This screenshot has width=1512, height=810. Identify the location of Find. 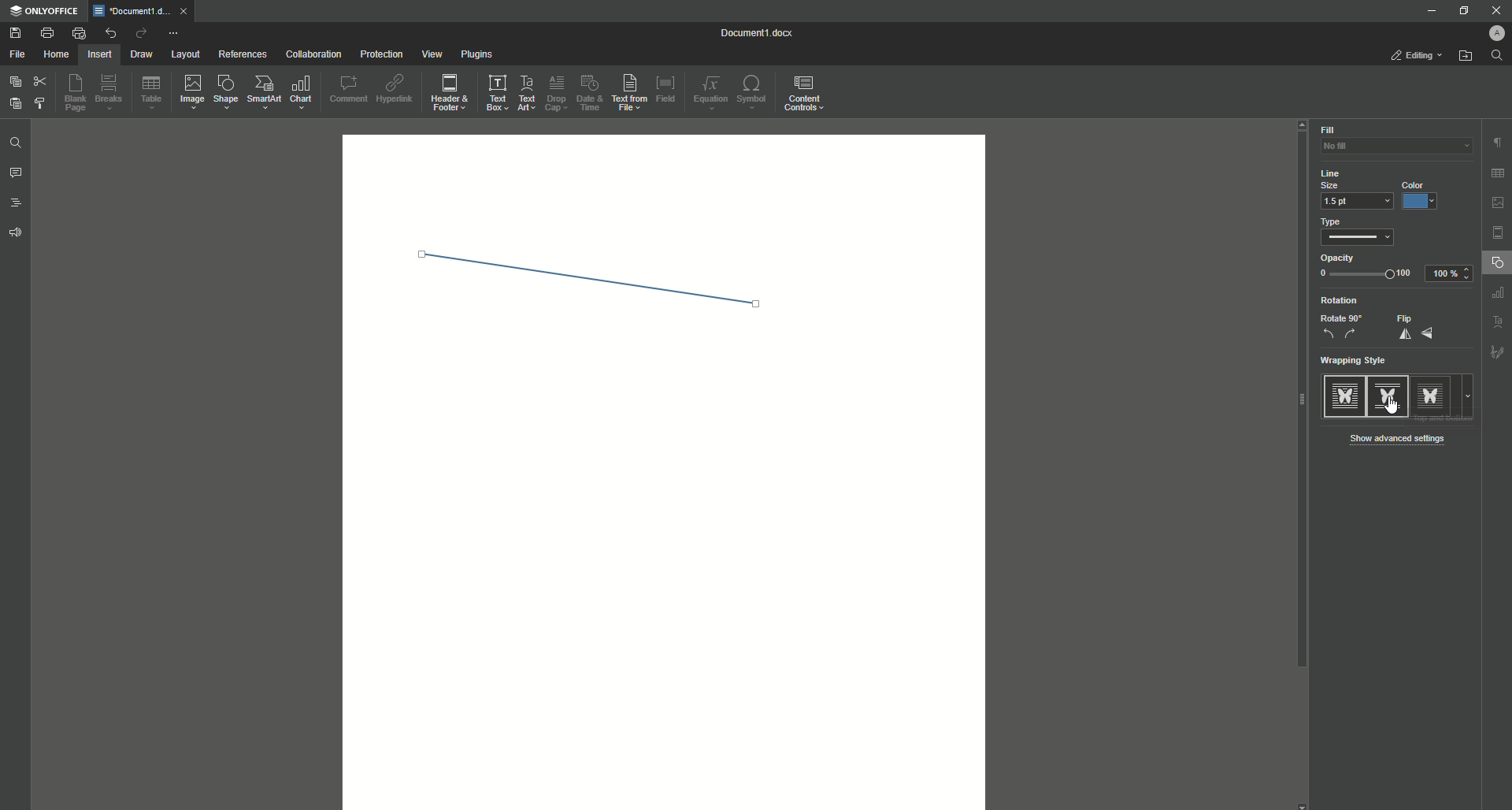
(1501, 55).